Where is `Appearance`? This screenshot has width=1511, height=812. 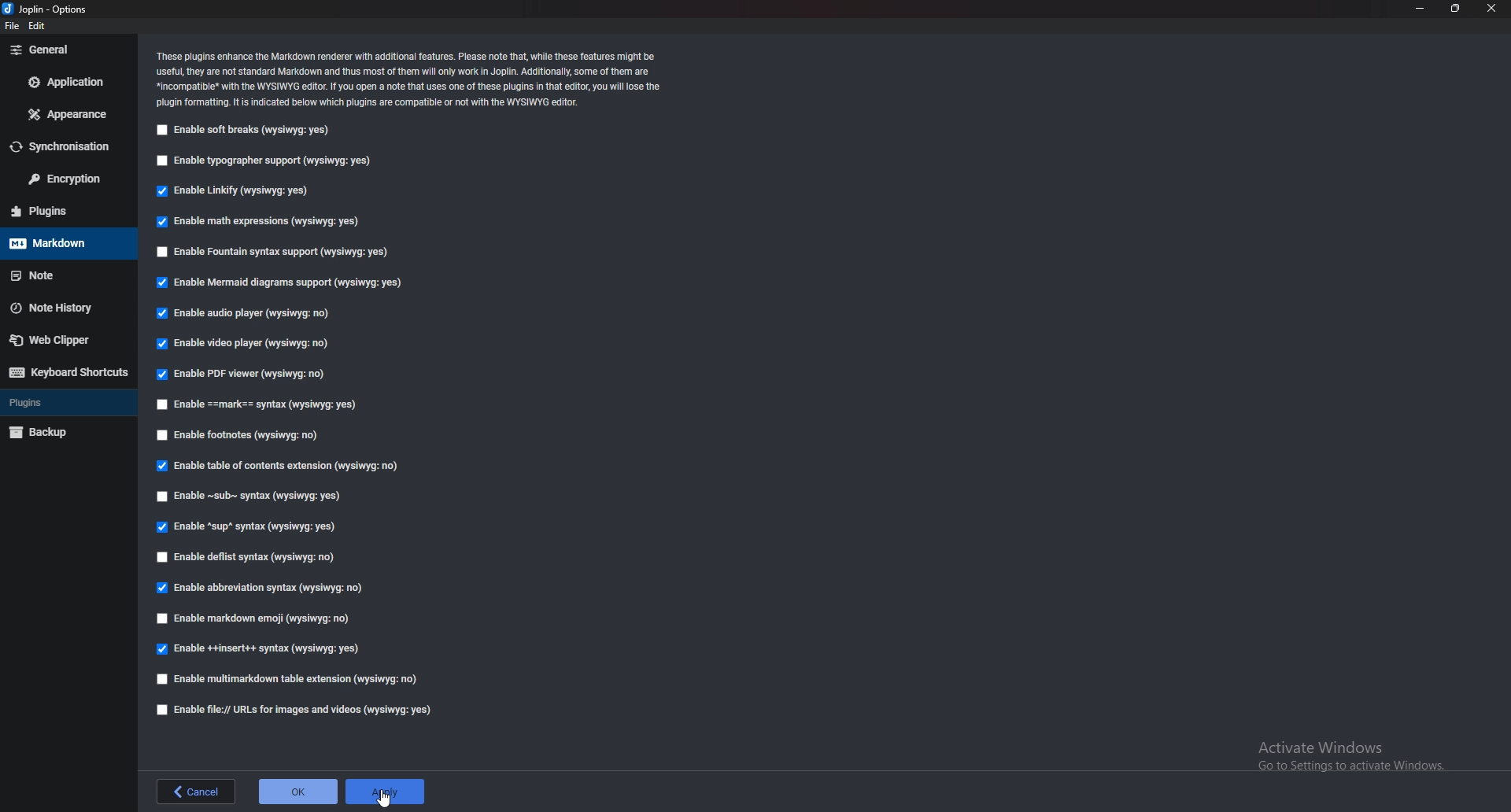
Appearance is located at coordinates (68, 113).